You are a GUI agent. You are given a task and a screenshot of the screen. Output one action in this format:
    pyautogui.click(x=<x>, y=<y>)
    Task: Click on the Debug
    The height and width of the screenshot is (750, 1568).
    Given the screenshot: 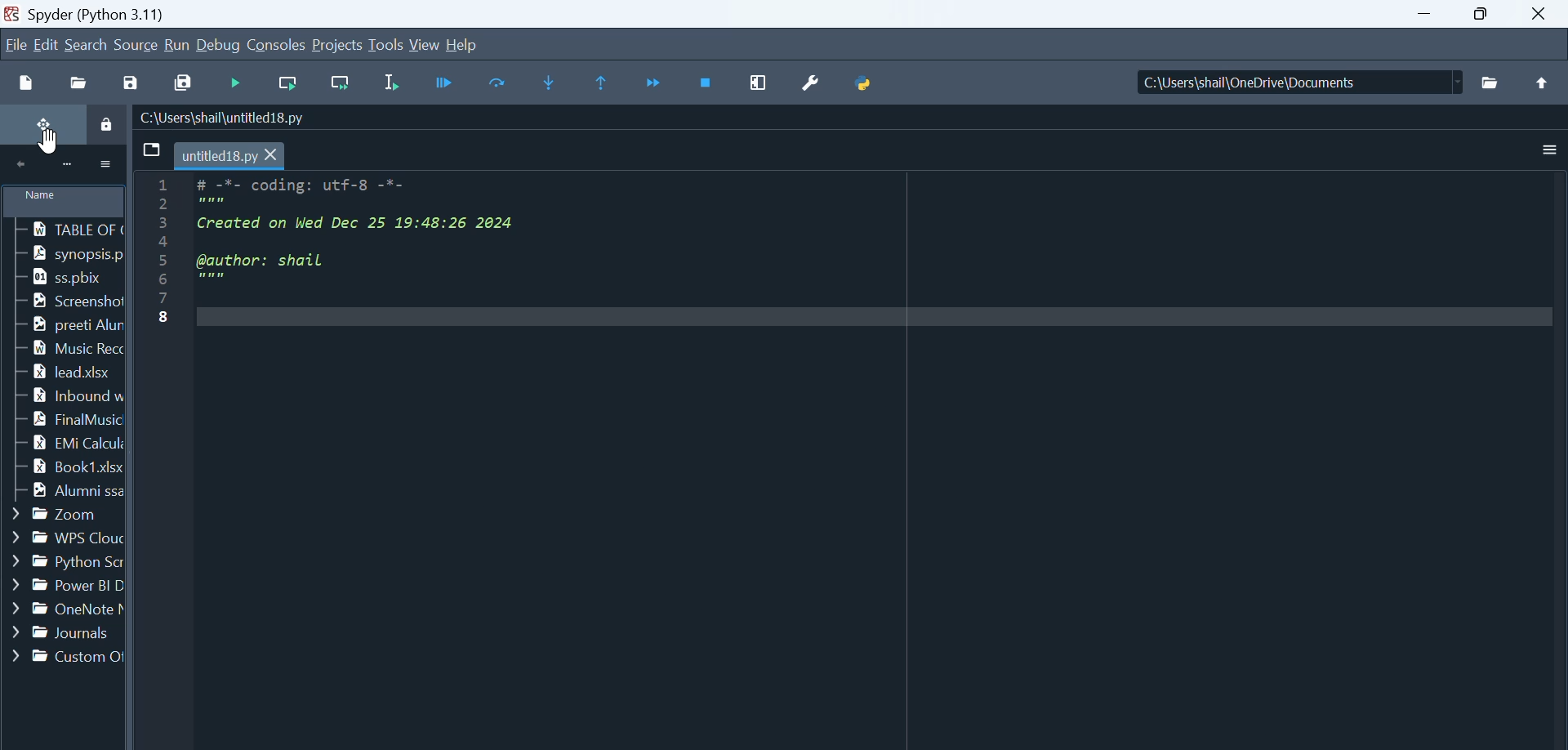 What is the action you would take?
    pyautogui.click(x=220, y=46)
    